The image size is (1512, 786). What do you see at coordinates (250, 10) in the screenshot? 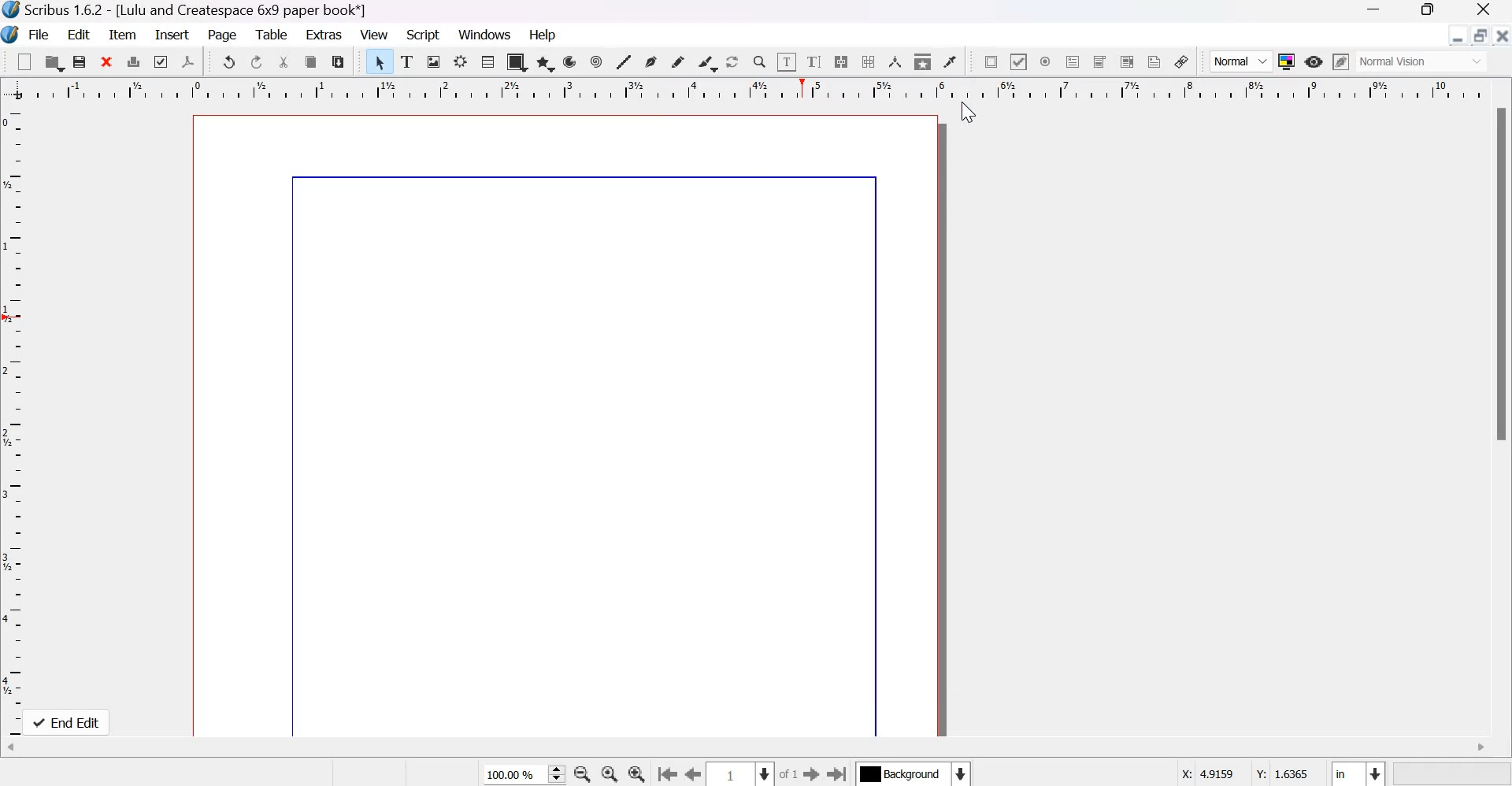
I see `Scribus 1.6.2 - [Document Template: Lulu and Createspace 6*9 paper book]` at bounding box center [250, 10].